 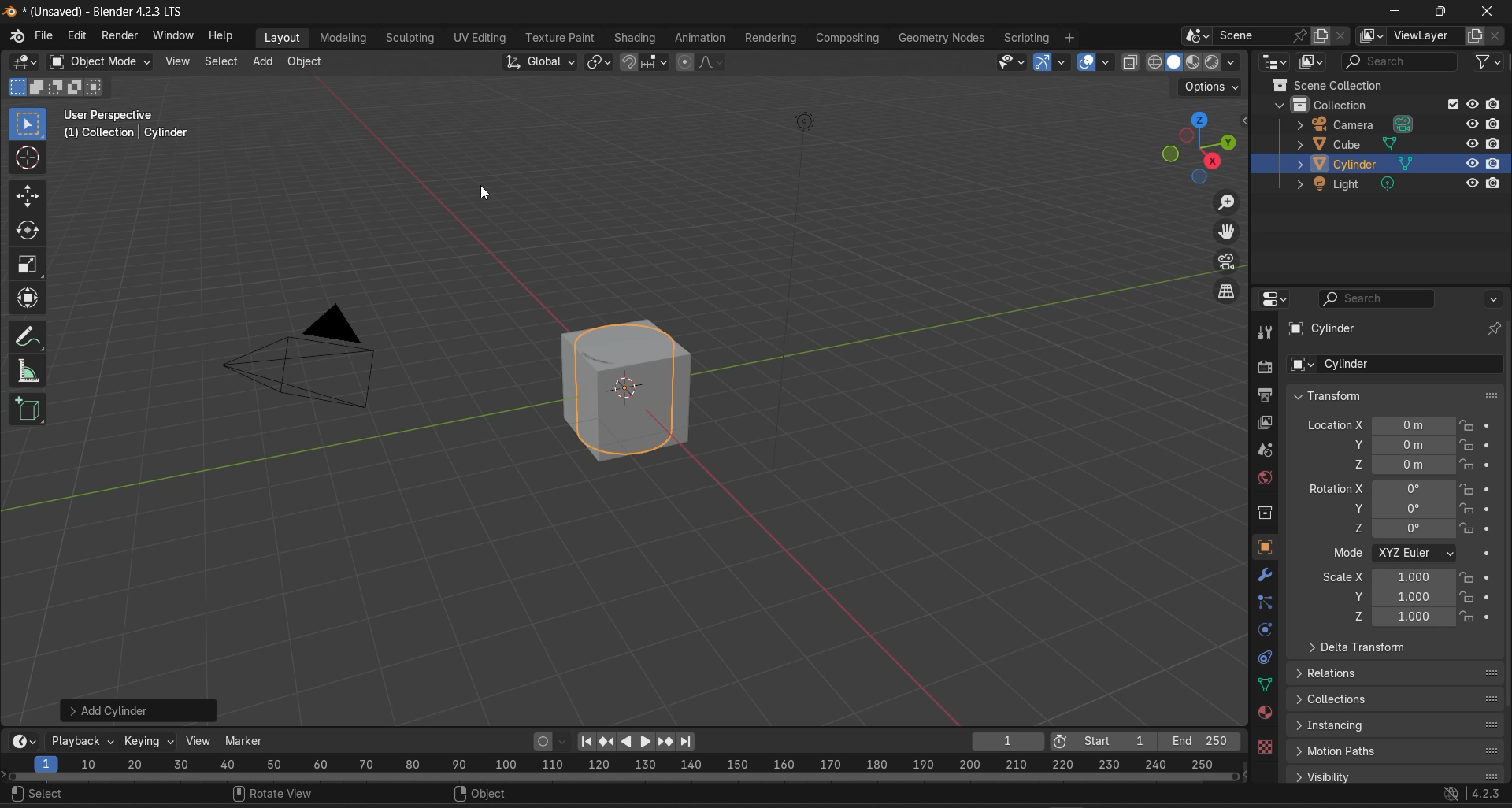 What do you see at coordinates (29, 299) in the screenshot?
I see `transform` at bounding box center [29, 299].